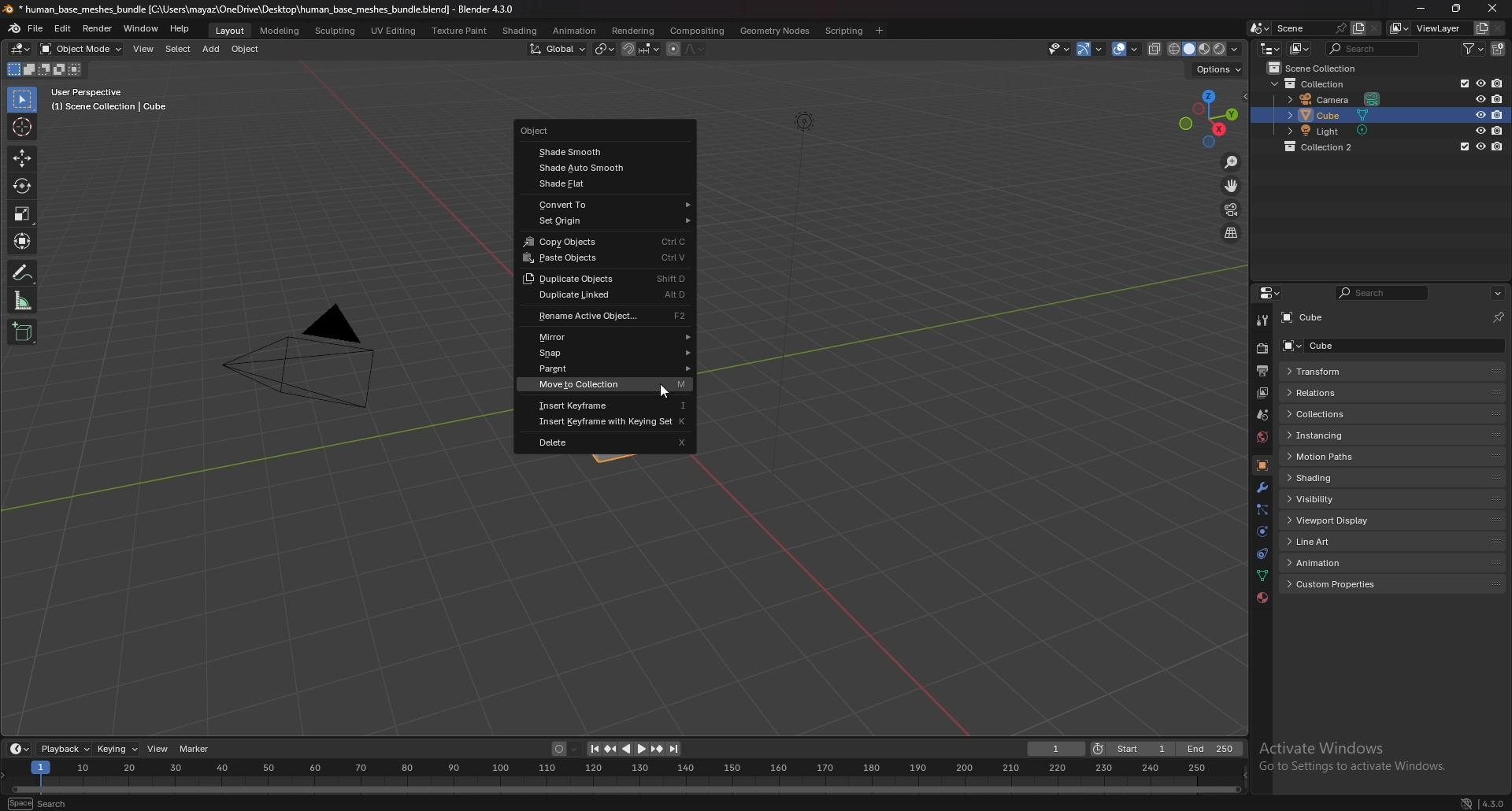 This screenshot has height=811, width=1512. Describe the element at coordinates (1456, 8) in the screenshot. I see `resize` at that location.